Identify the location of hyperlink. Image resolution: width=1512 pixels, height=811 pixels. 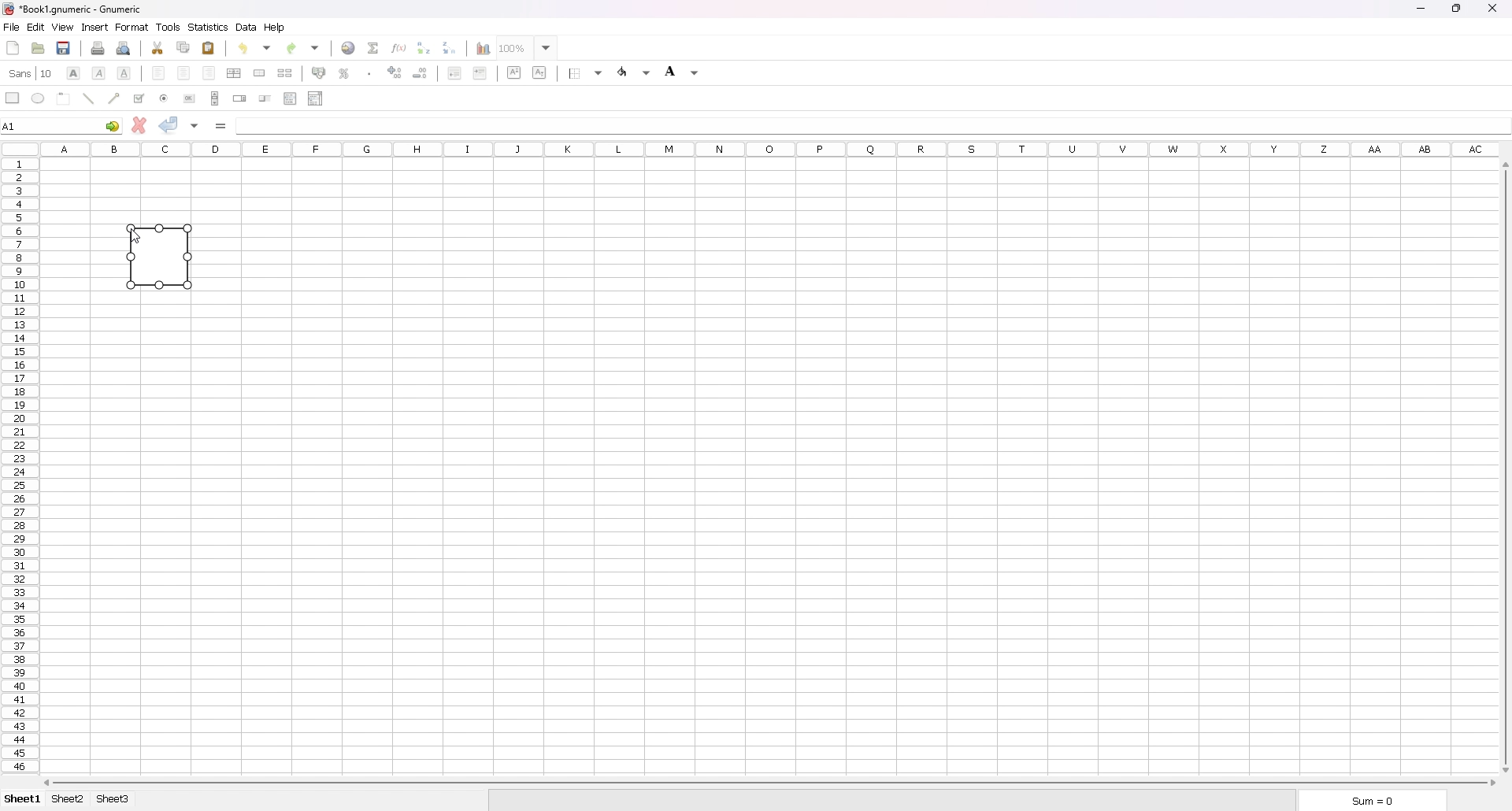
(347, 47).